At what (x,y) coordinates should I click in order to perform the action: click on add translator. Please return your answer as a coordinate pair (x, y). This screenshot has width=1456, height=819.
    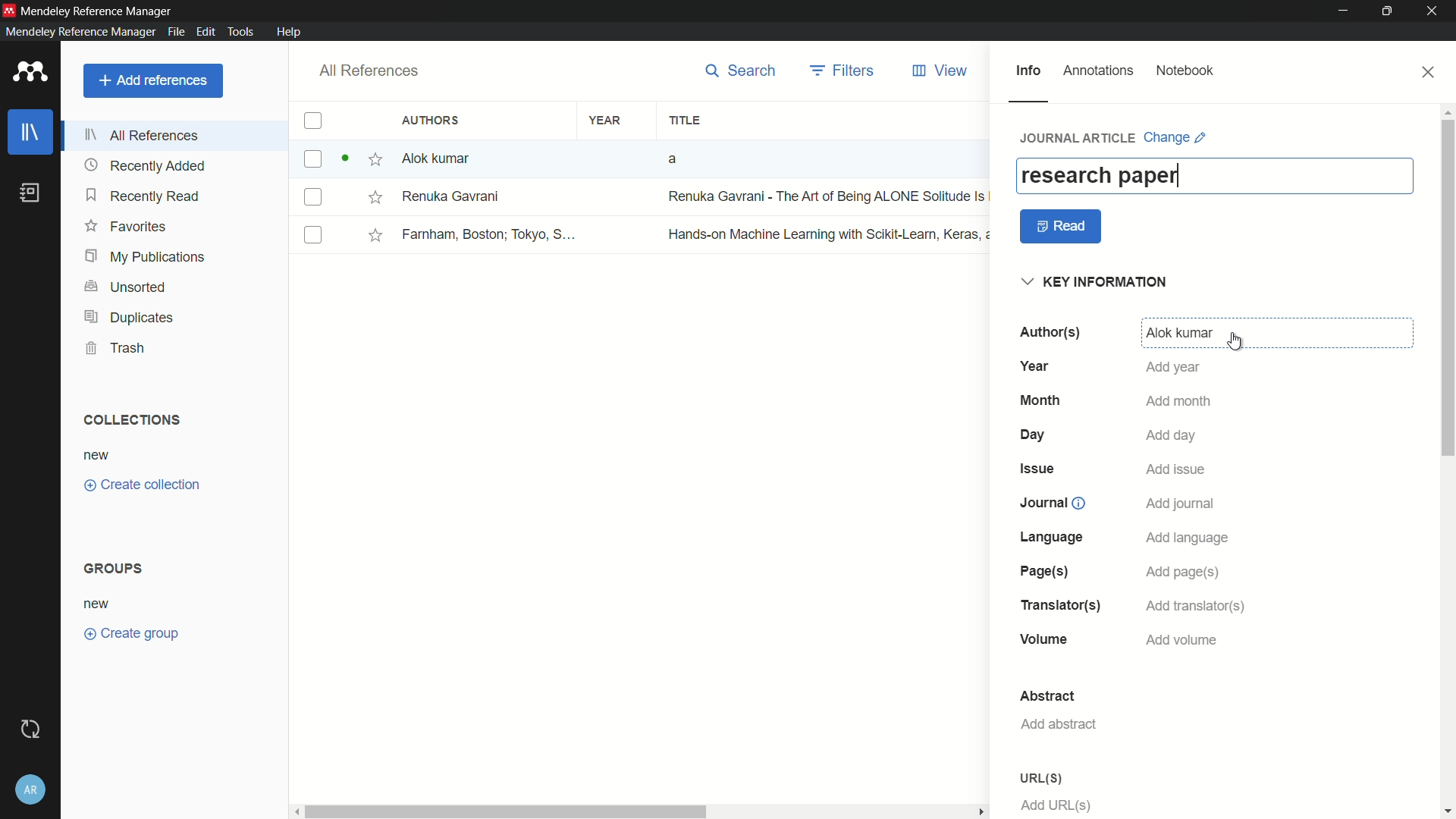
    Looking at the image, I should click on (1193, 607).